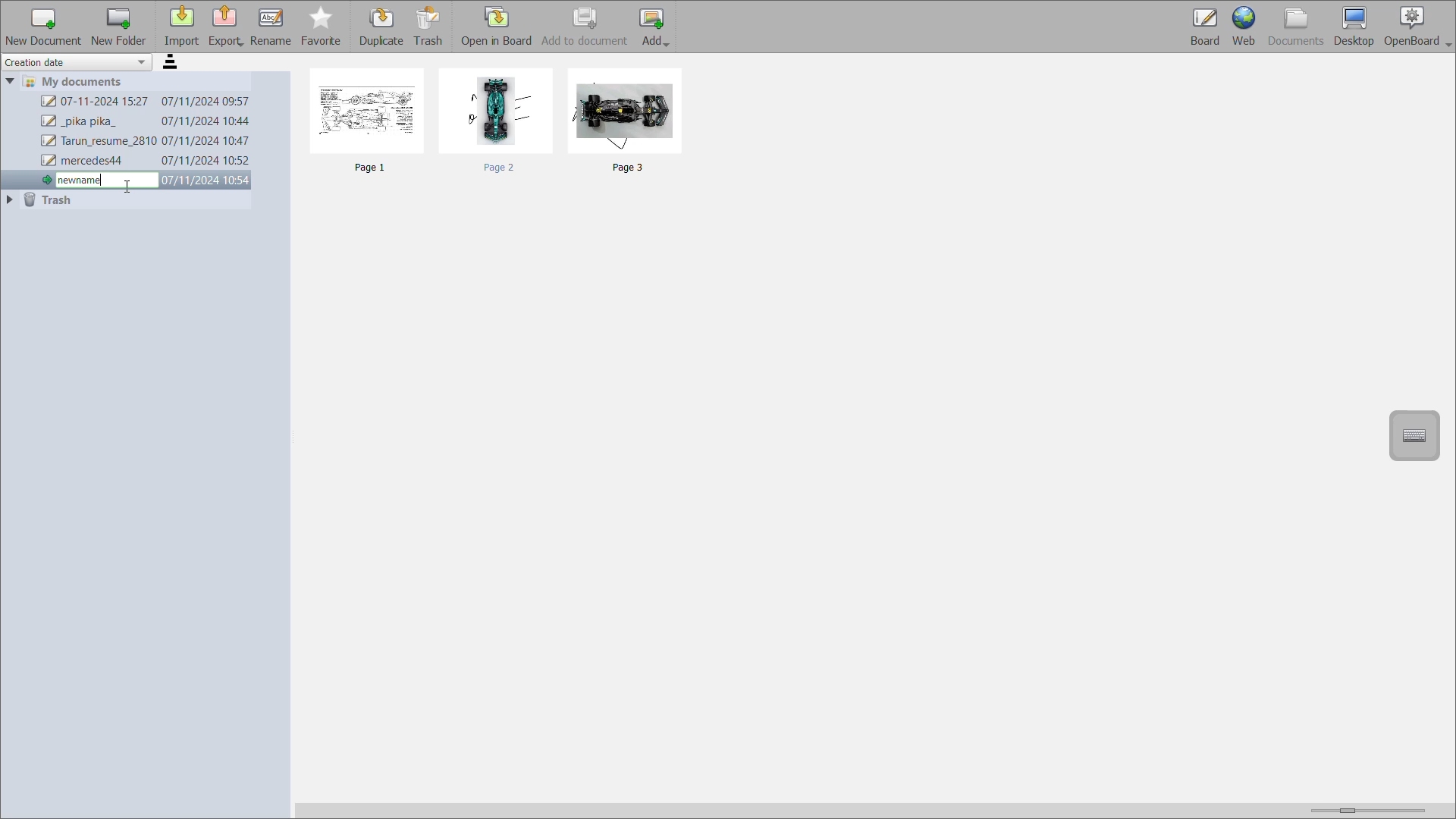  What do you see at coordinates (273, 27) in the screenshot?
I see `rename` at bounding box center [273, 27].